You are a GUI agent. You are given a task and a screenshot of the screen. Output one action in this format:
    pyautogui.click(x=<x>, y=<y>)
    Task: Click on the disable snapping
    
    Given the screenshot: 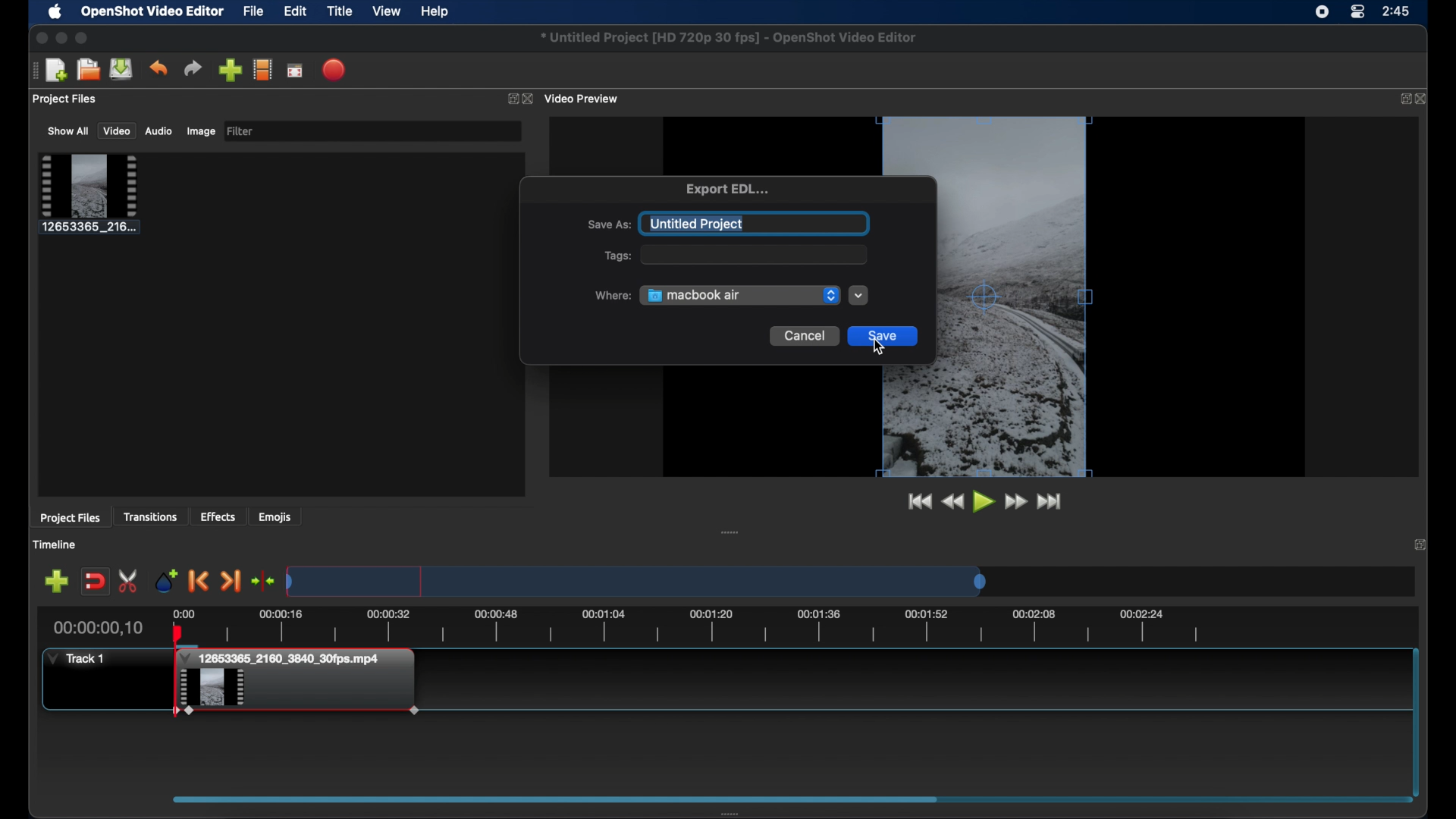 What is the action you would take?
    pyautogui.click(x=95, y=581)
    